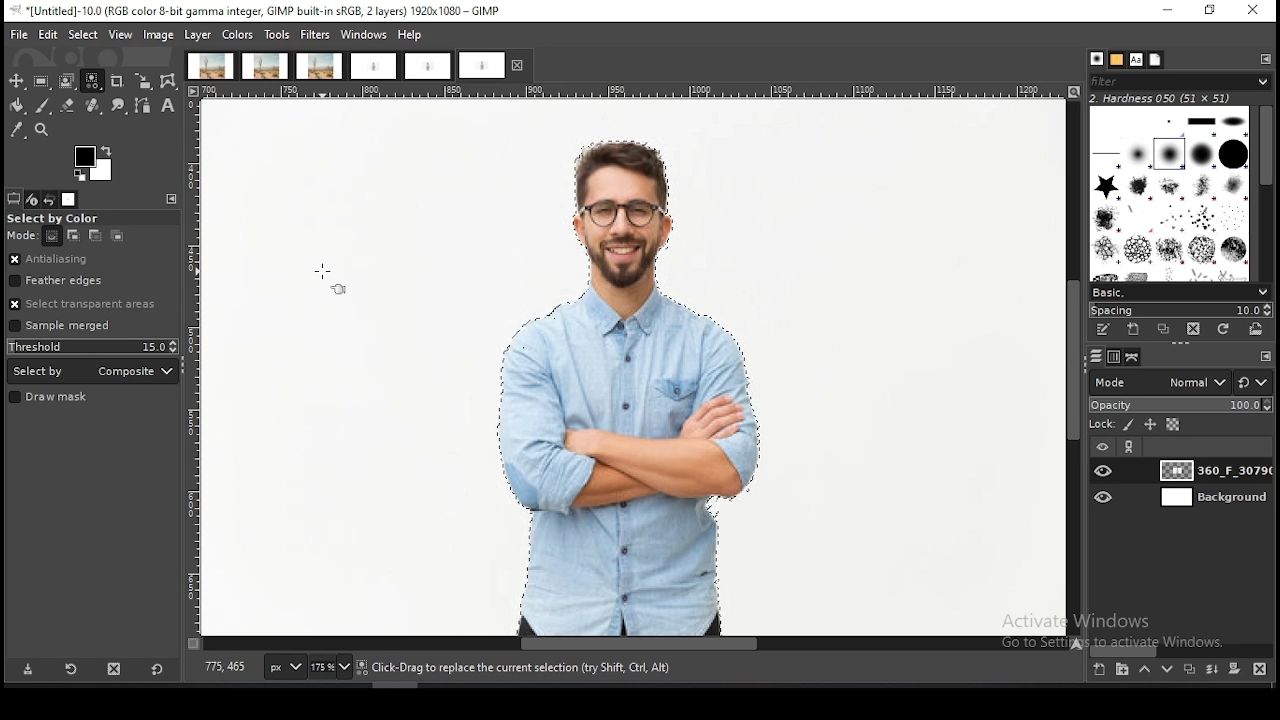  What do you see at coordinates (43, 106) in the screenshot?
I see `paintbrush tool` at bounding box center [43, 106].